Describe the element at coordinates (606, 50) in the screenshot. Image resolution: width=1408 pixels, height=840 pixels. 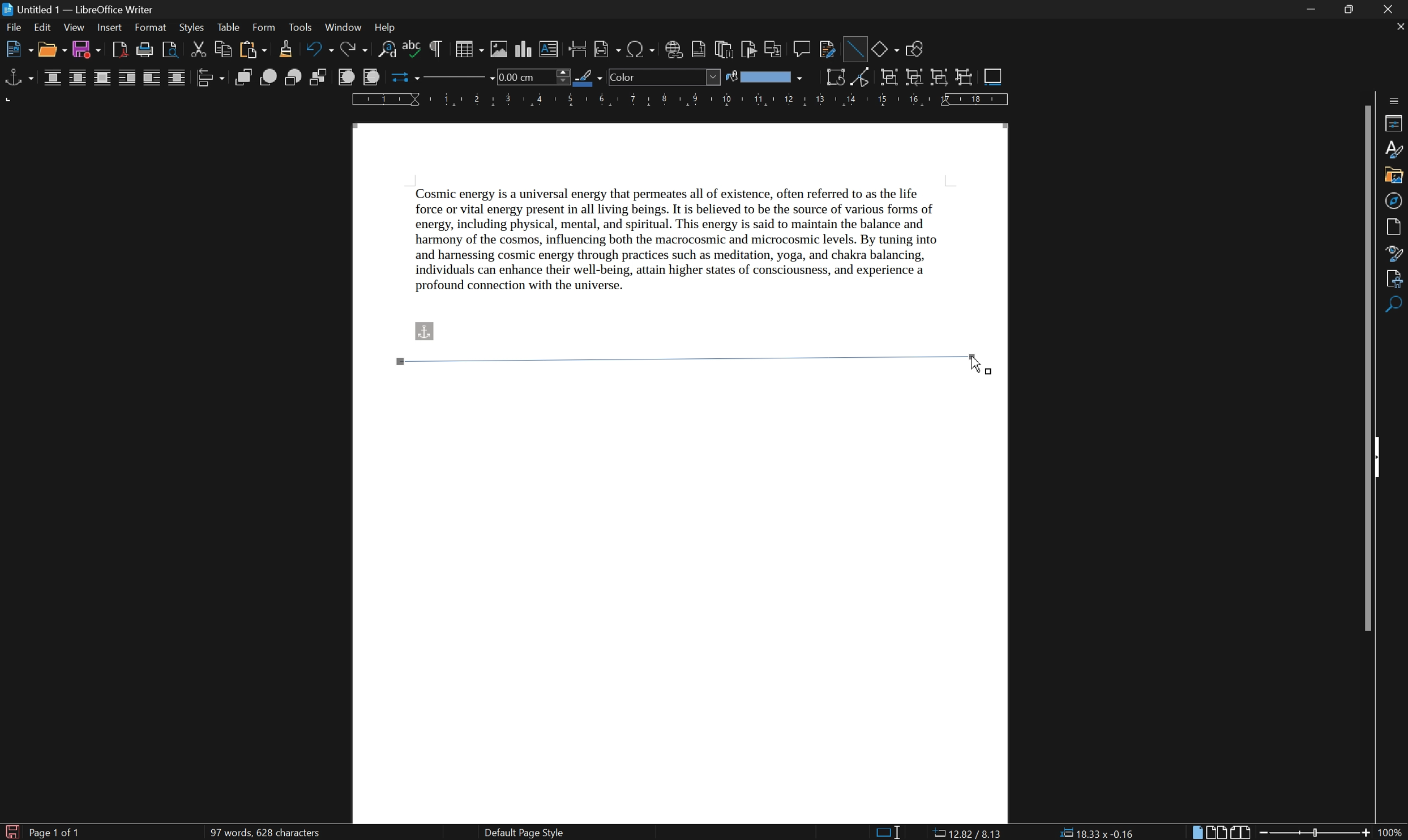
I see `insert field` at that location.